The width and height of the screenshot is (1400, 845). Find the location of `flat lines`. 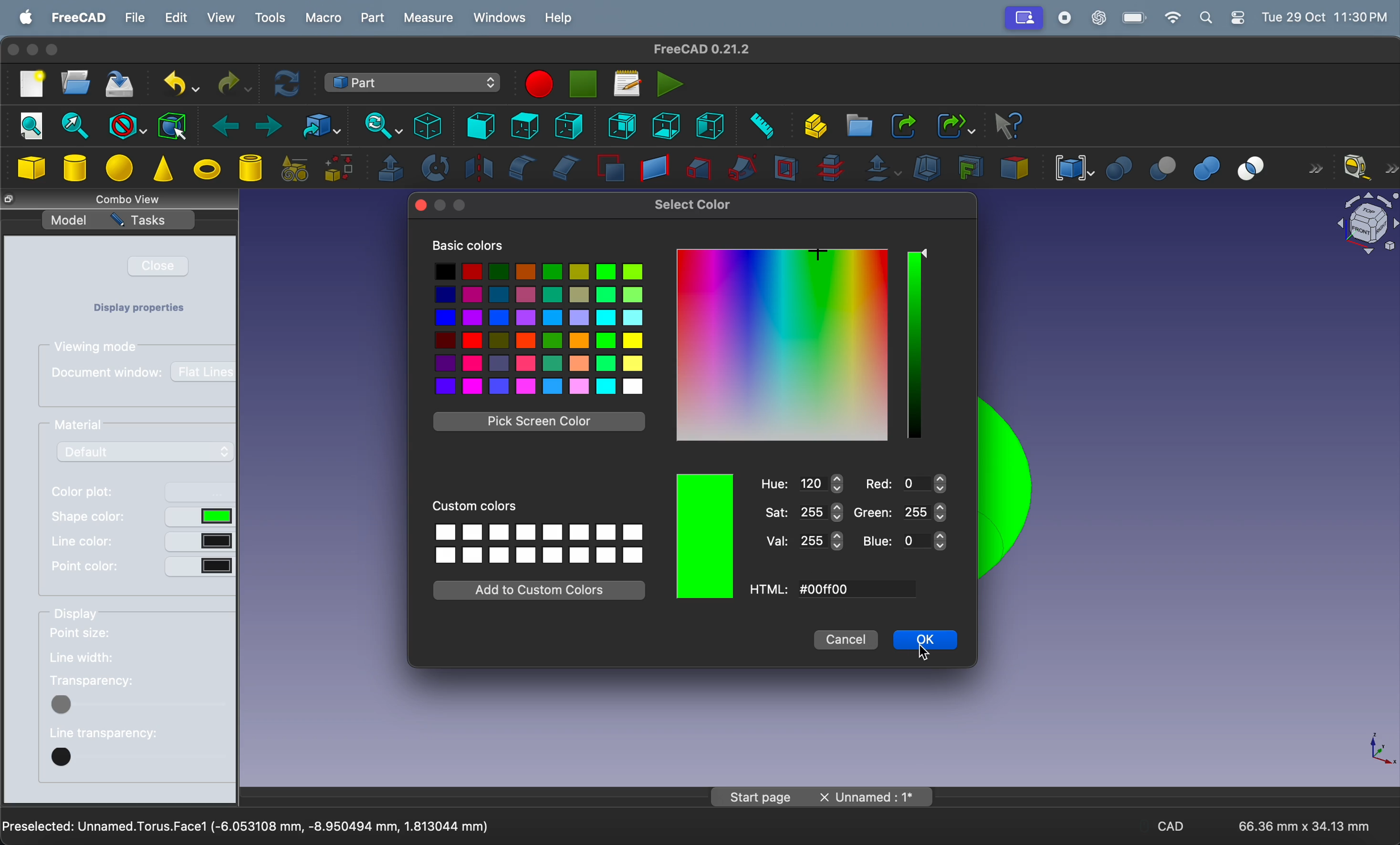

flat lines is located at coordinates (202, 373).